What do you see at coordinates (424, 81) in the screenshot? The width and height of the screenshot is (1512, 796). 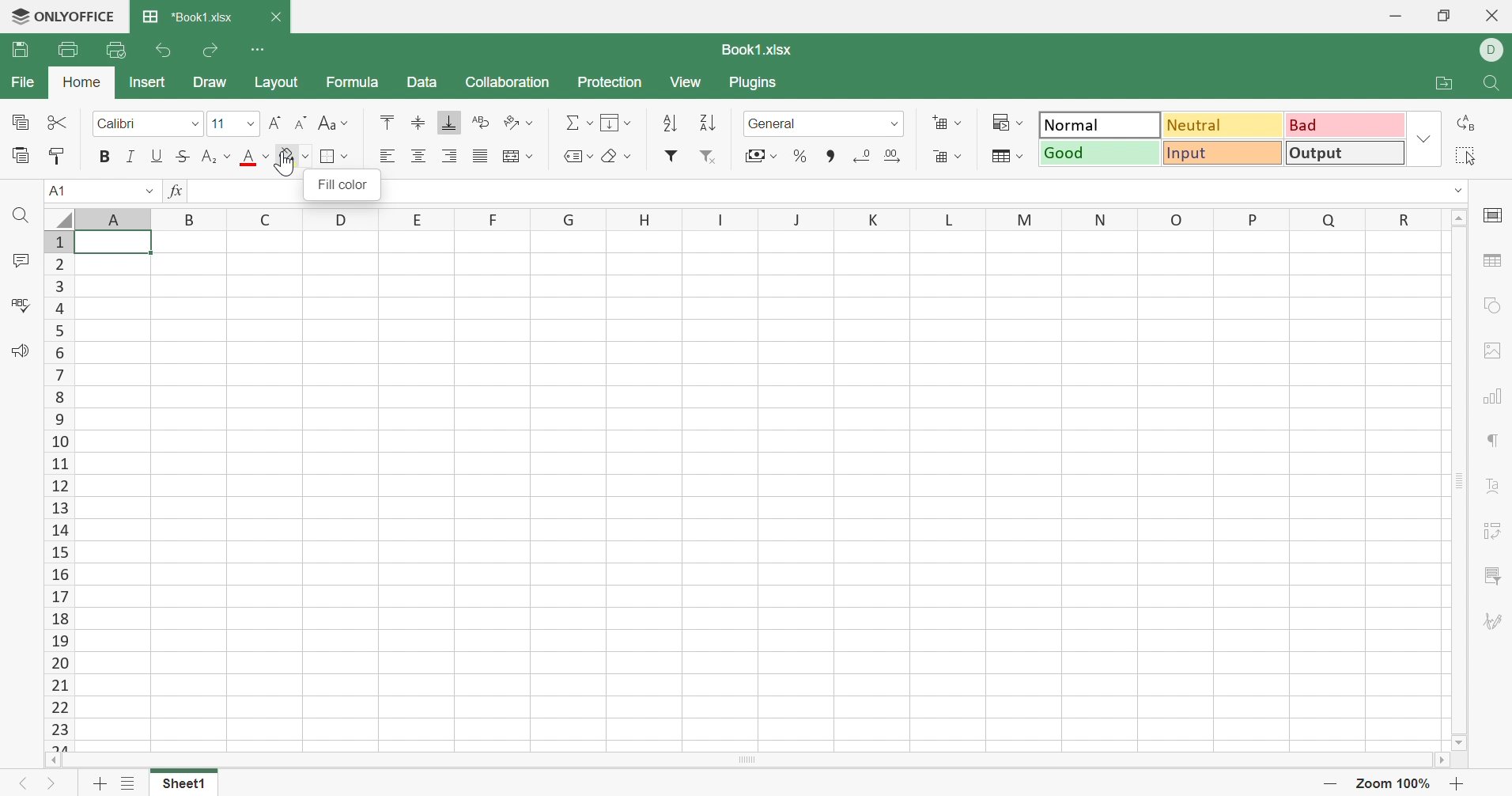 I see `Data` at bounding box center [424, 81].